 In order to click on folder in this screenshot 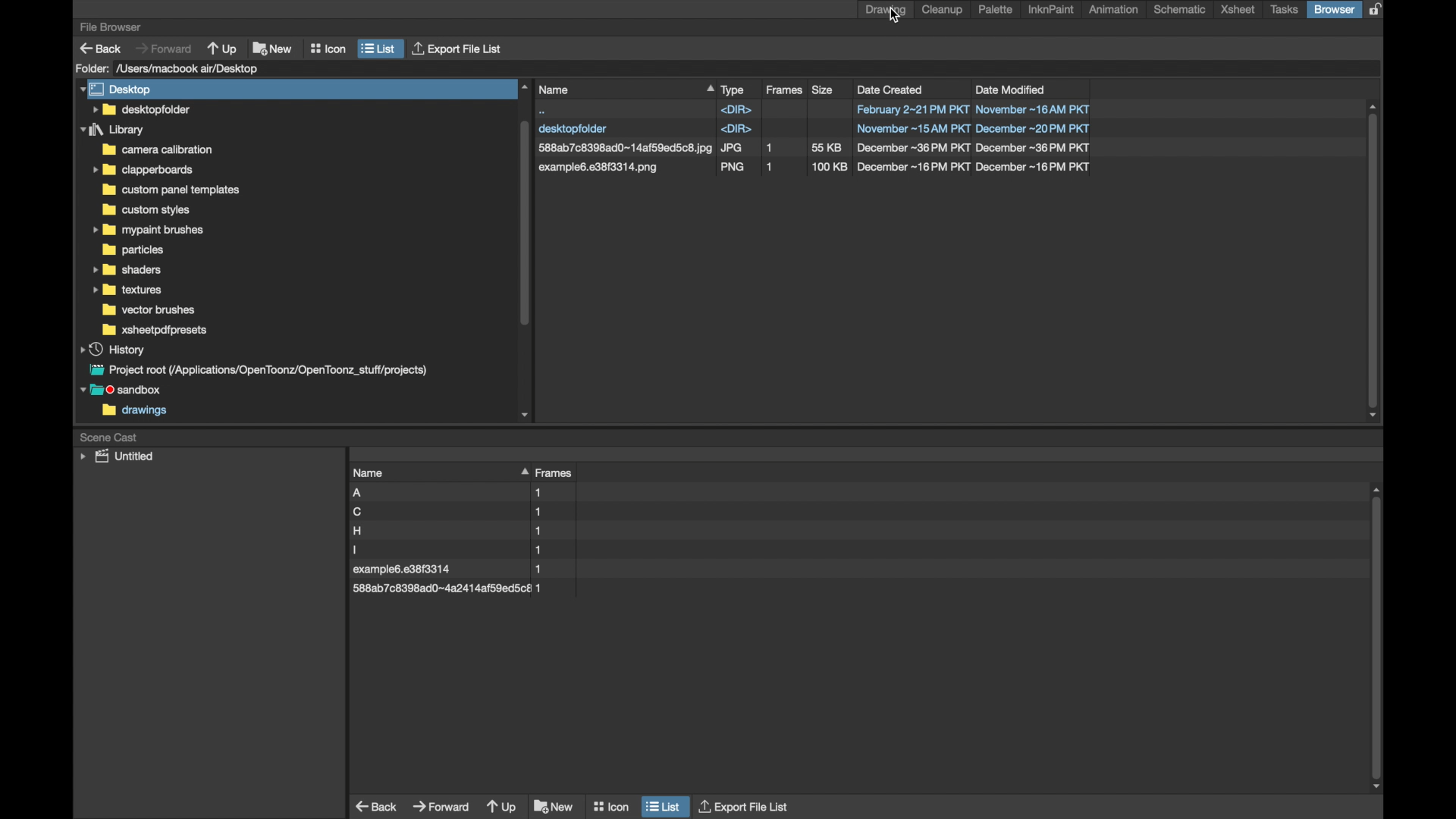, I will do `click(127, 269)`.